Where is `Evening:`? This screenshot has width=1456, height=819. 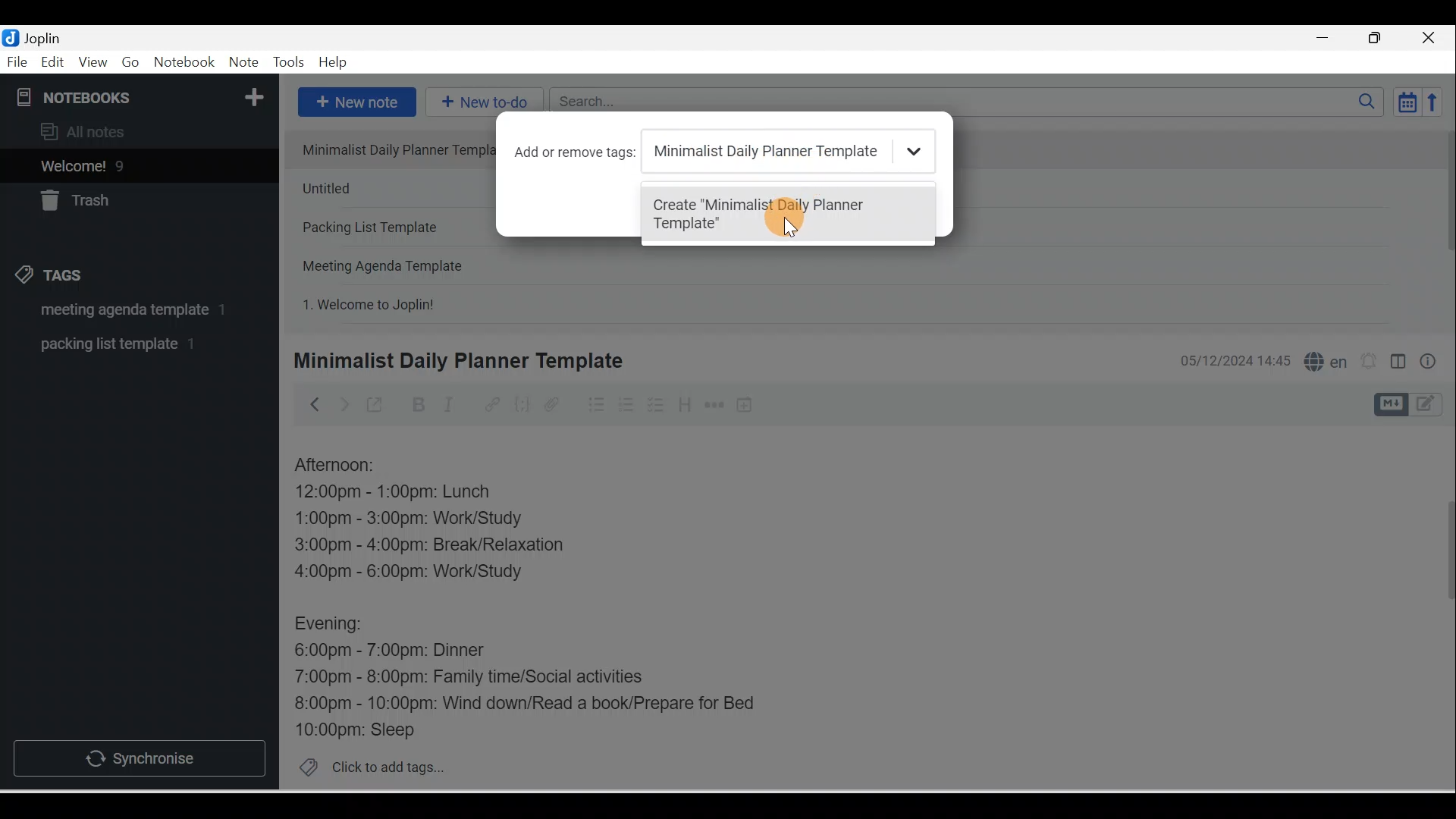 Evening: is located at coordinates (339, 626).